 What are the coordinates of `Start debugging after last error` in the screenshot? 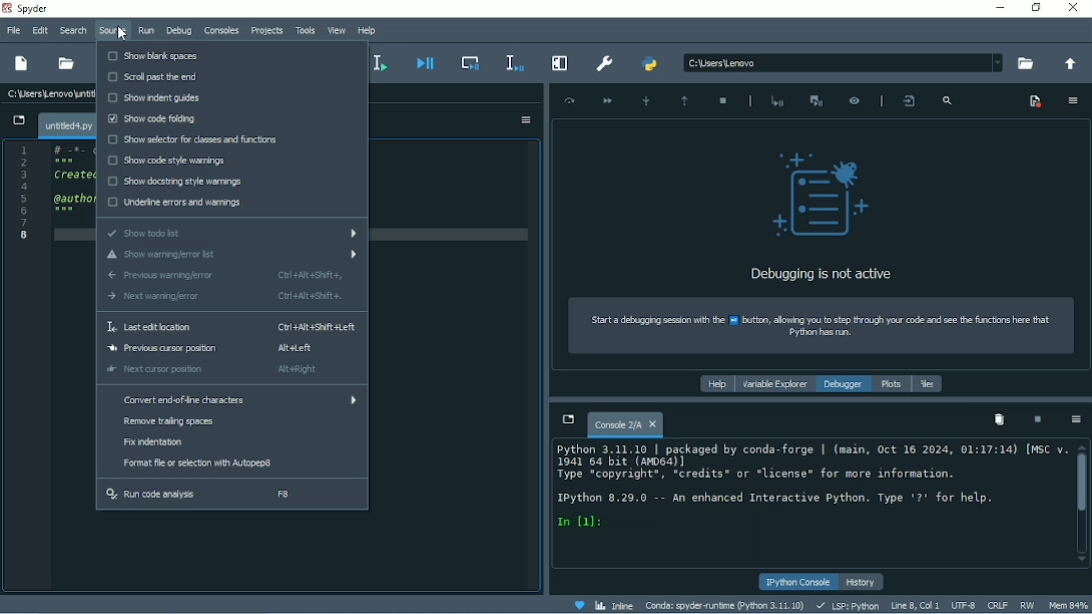 It's located at (778, 101).